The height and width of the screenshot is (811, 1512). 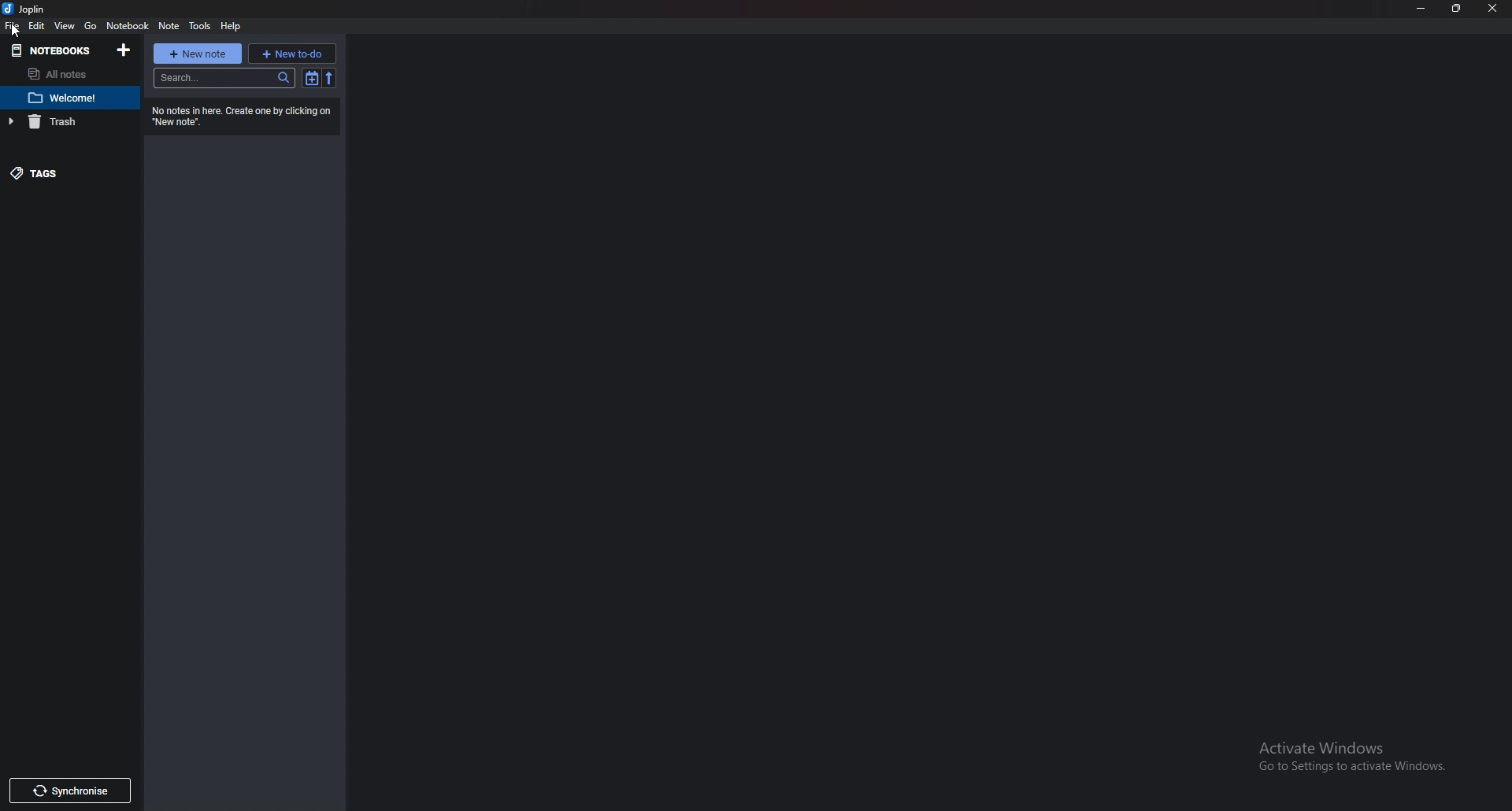 What do you see at coordinates (1492, 9) in the screenshot?
I see `Close` at bounding box center [1492, 9].